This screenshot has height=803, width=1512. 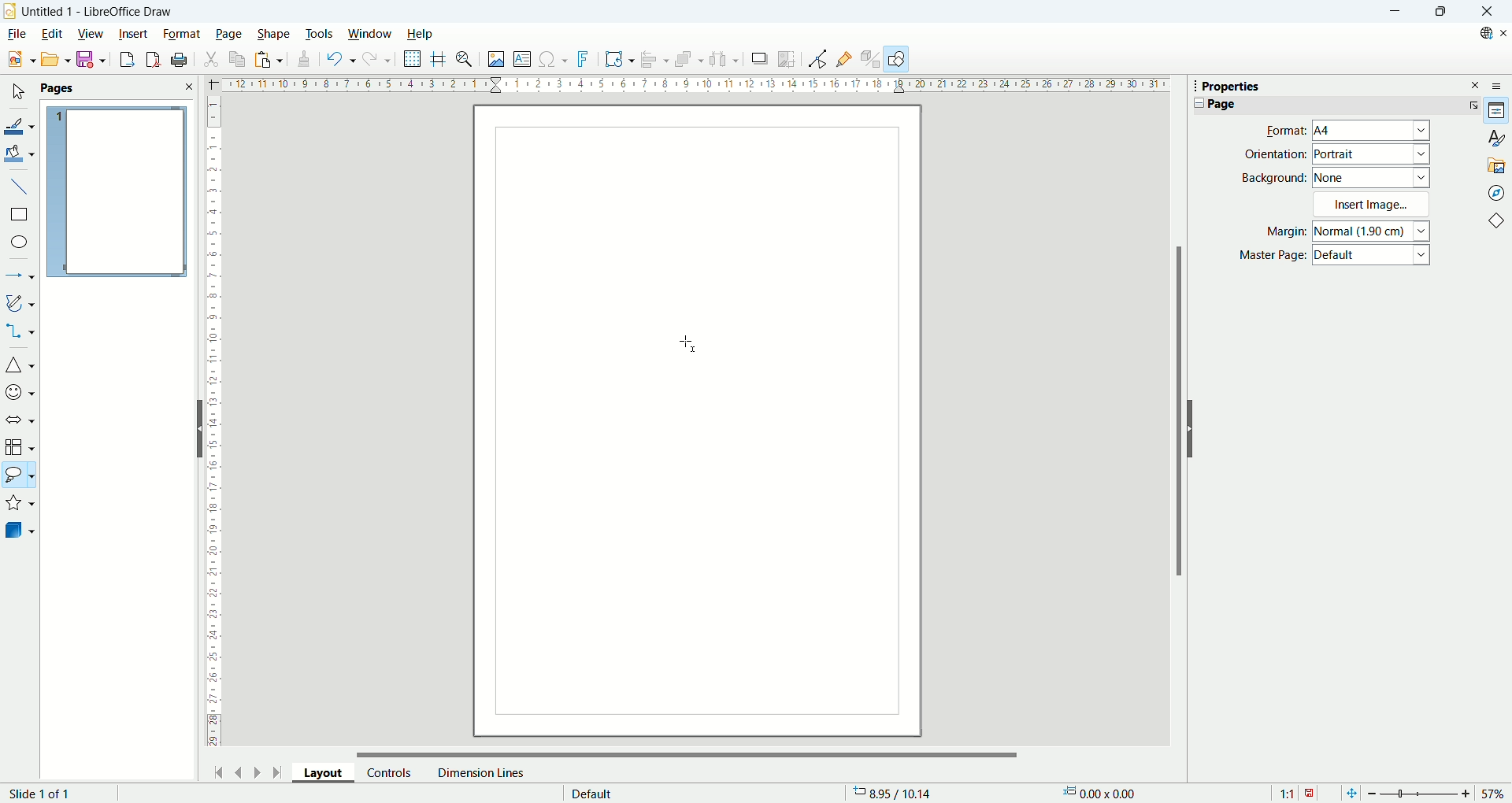 What do you see at coordinates (278, 772) in the screenshot?
I see `go to last page` at bounding box center [278, 772].